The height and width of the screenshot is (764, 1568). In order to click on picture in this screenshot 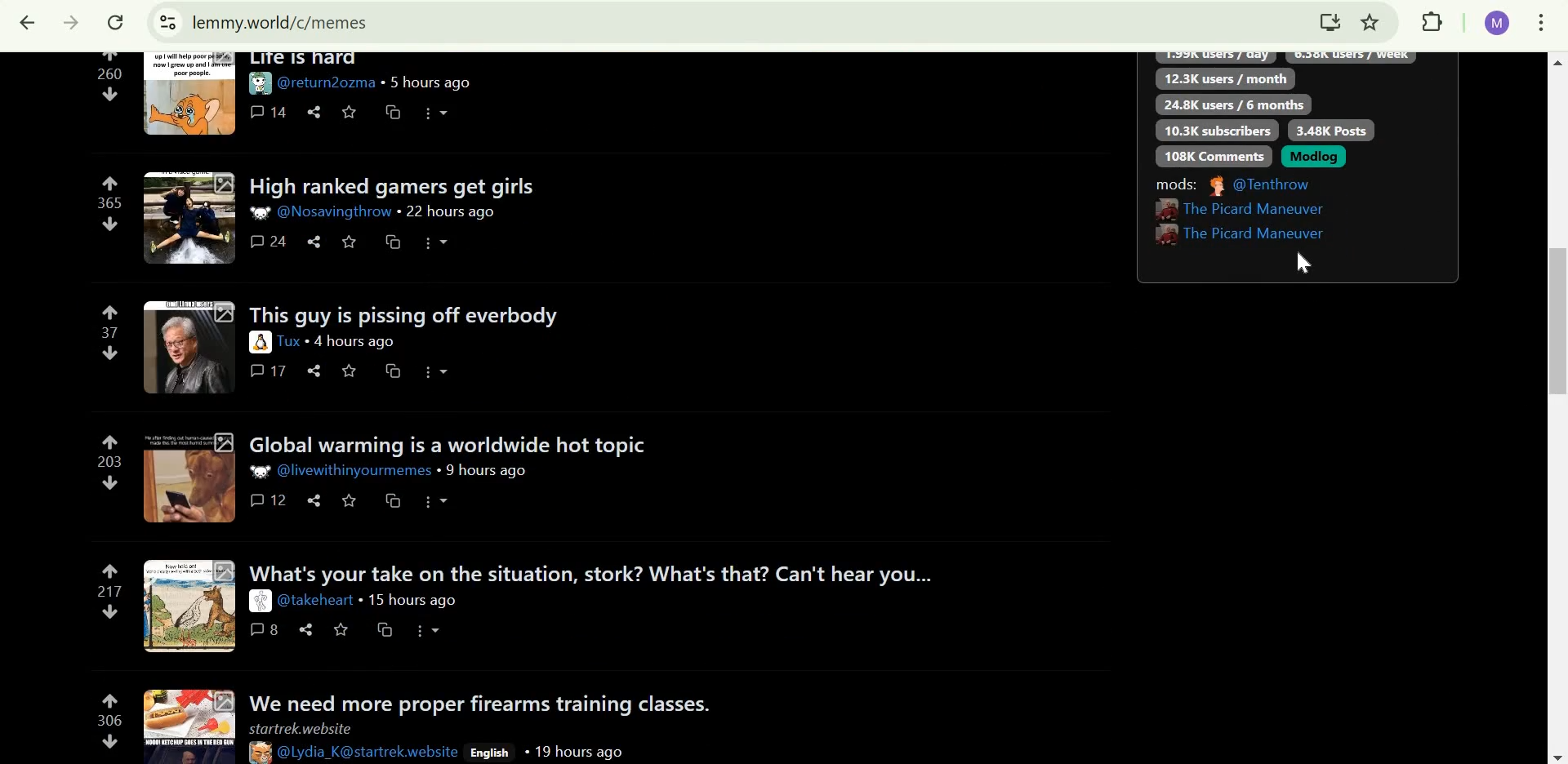, I will do `click(263, 472)`.